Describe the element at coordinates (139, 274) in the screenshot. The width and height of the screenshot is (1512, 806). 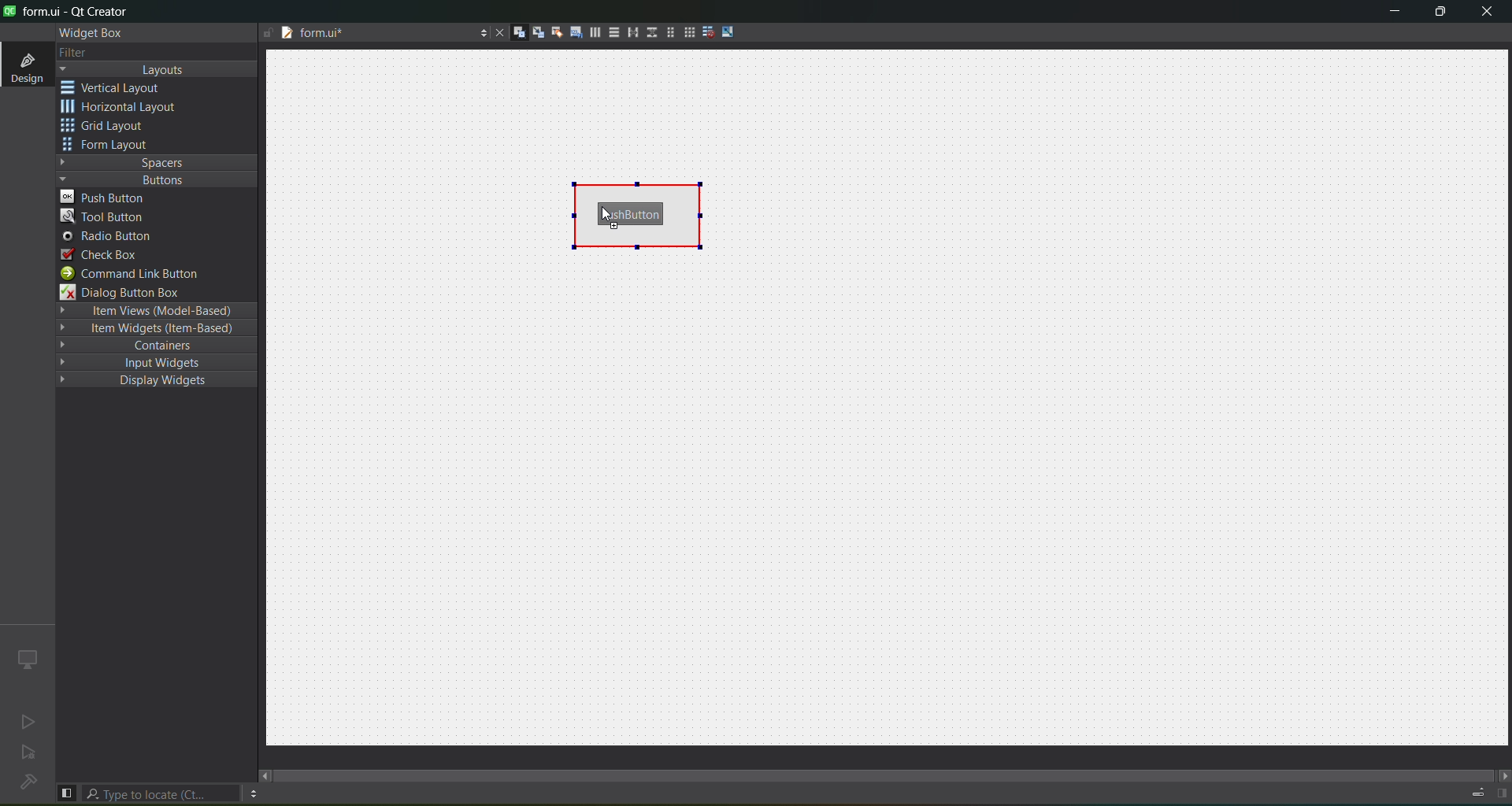
I see `command link button` at that location.